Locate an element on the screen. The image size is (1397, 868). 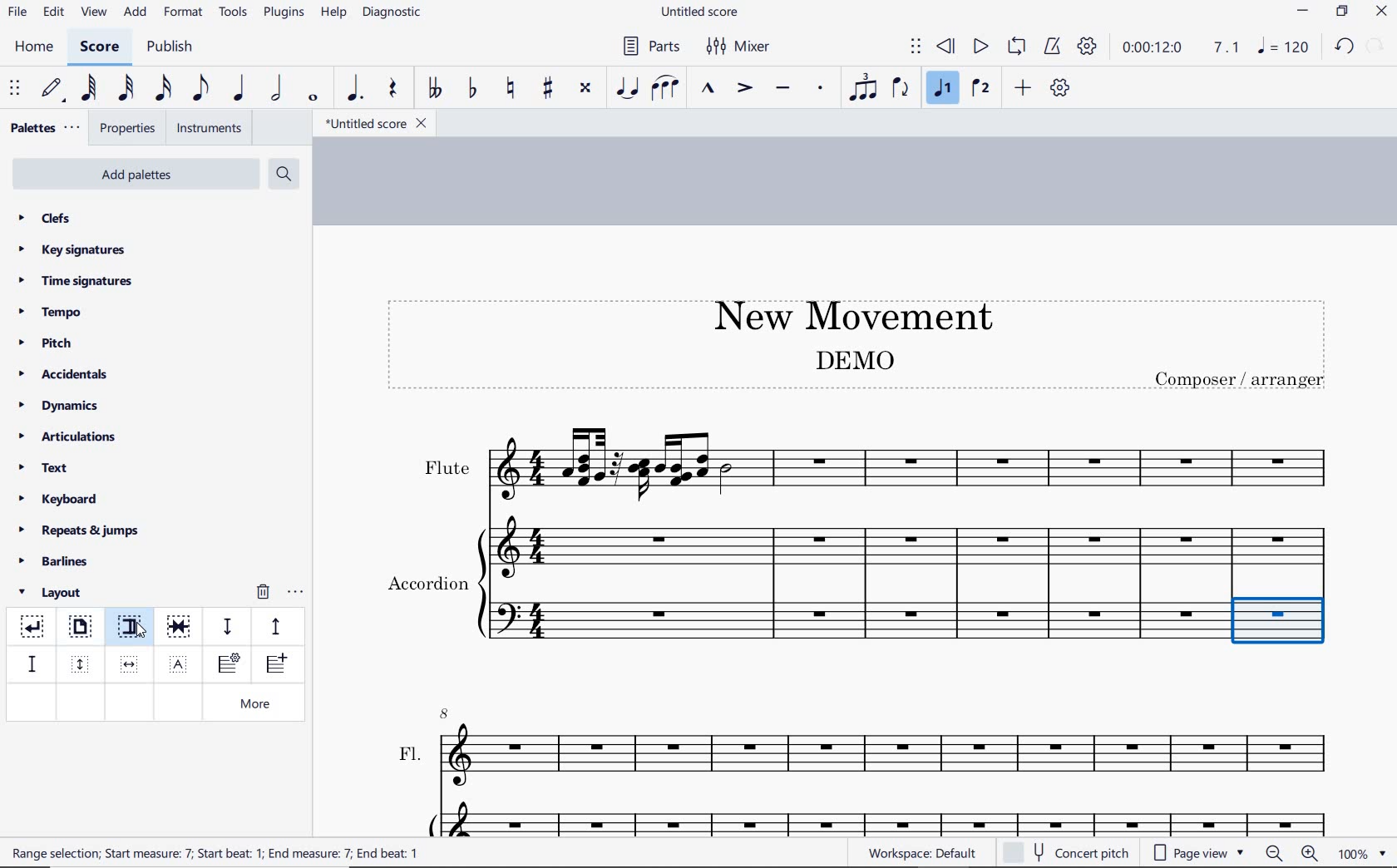
default (step time) is located at coordinates (53, 89).